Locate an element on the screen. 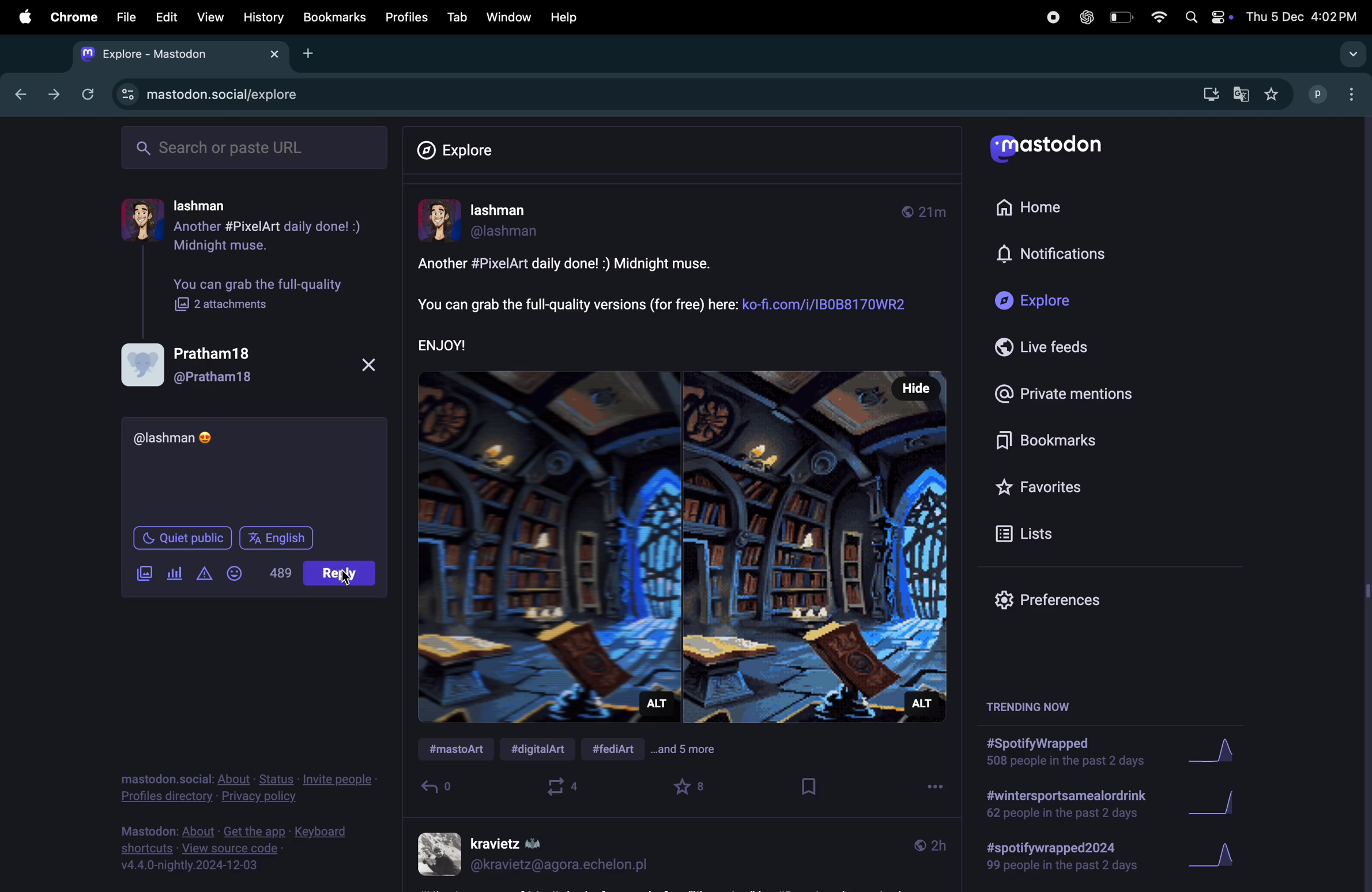  help is located at coordinates (567, 16).